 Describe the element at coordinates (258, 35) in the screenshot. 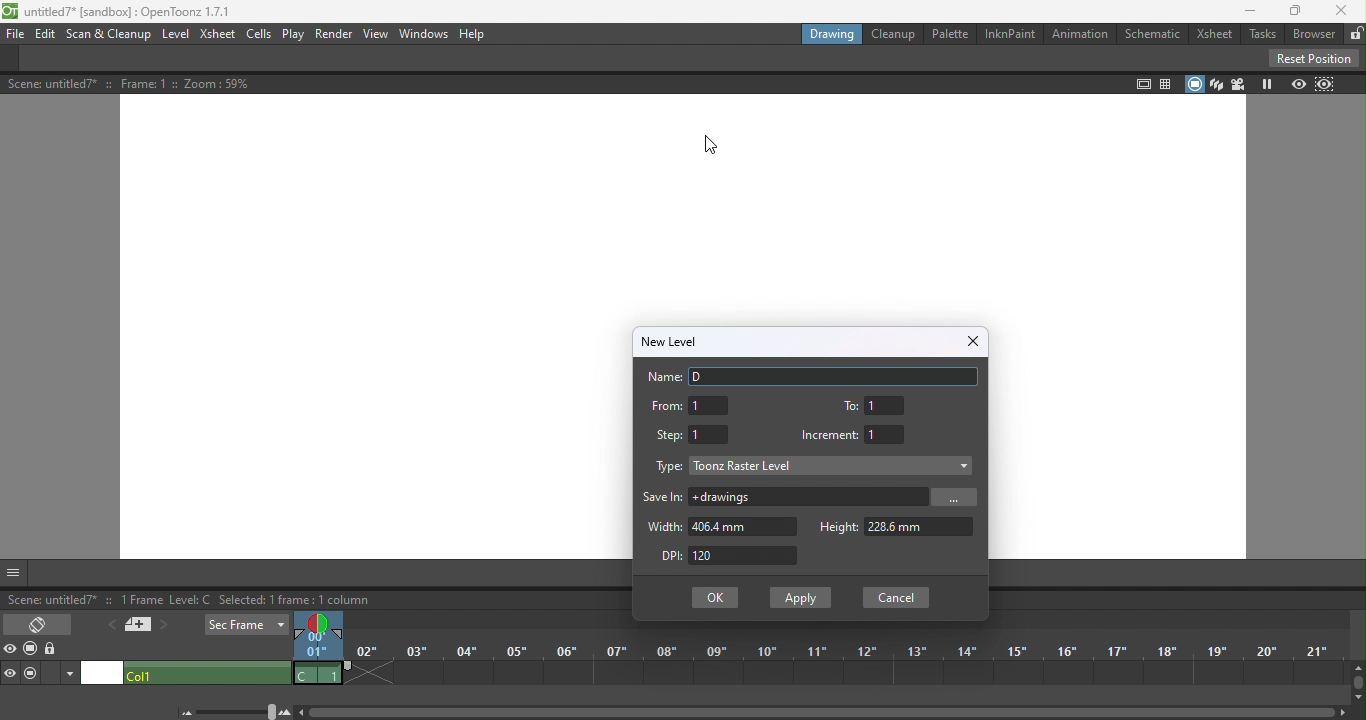

I see `Cells` at that location.